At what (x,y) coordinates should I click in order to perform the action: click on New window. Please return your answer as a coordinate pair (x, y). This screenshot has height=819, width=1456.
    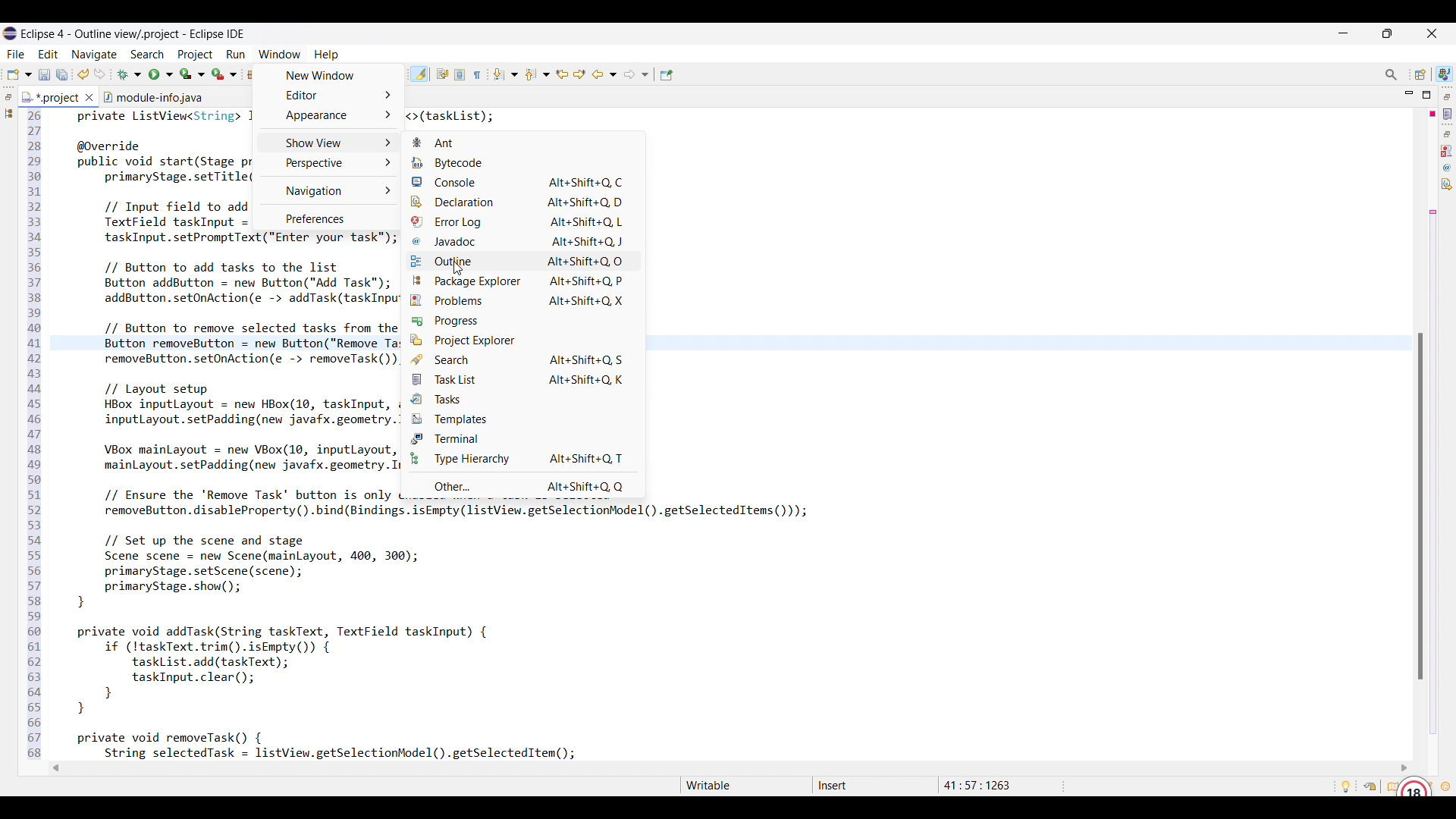
    Looking at the image, I should click on (329, 75).